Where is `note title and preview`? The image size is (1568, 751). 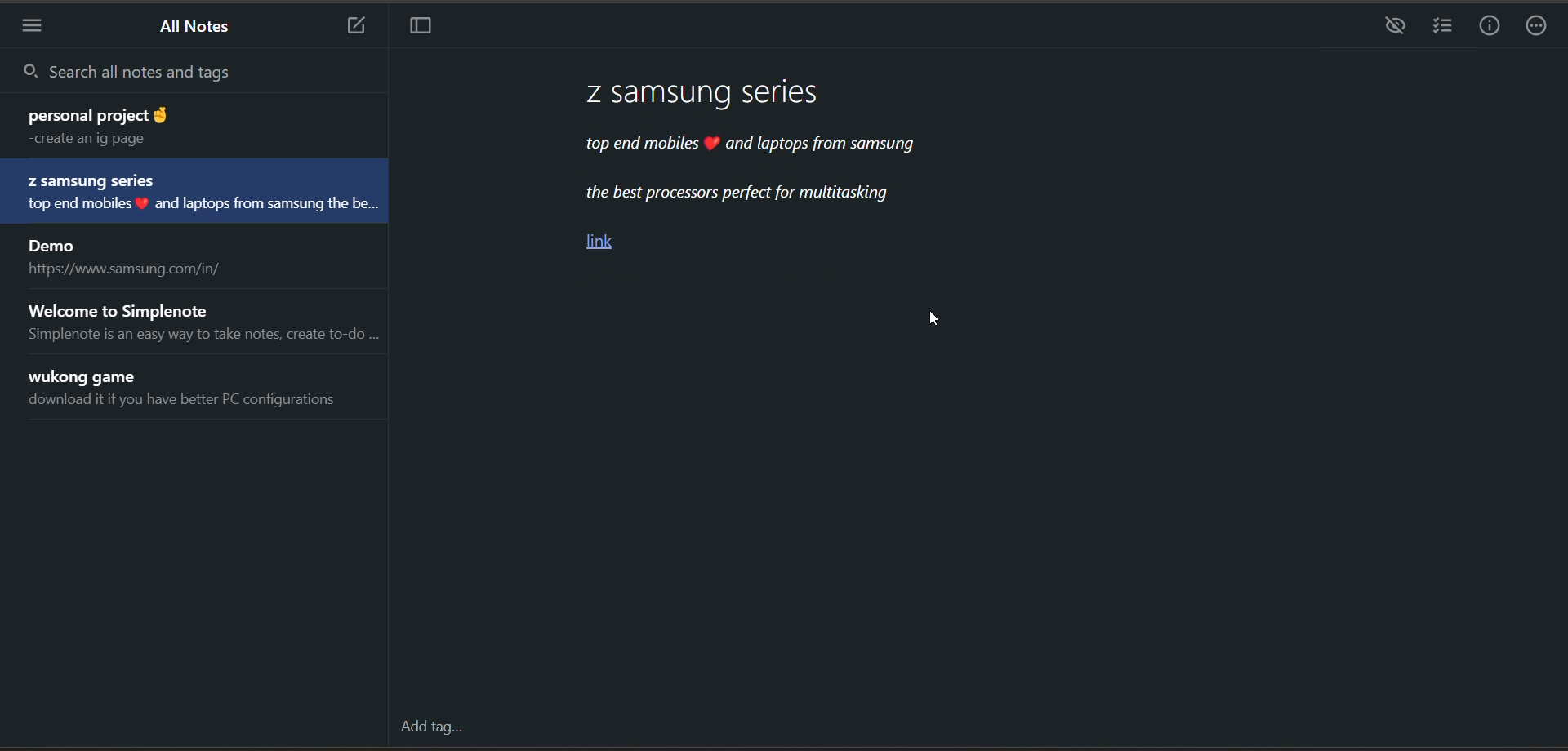 note title and preview is located at coordinates (176, 125).